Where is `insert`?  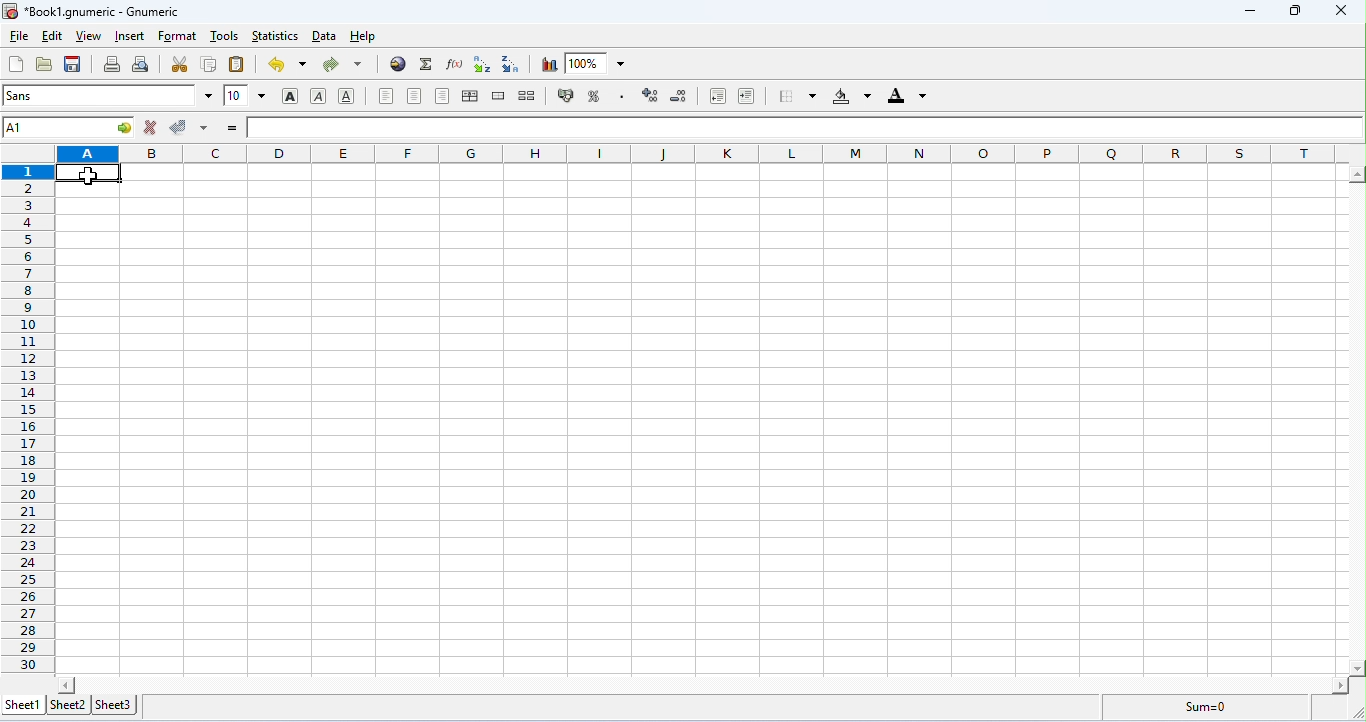
insert is located at coordinates (130, 37).